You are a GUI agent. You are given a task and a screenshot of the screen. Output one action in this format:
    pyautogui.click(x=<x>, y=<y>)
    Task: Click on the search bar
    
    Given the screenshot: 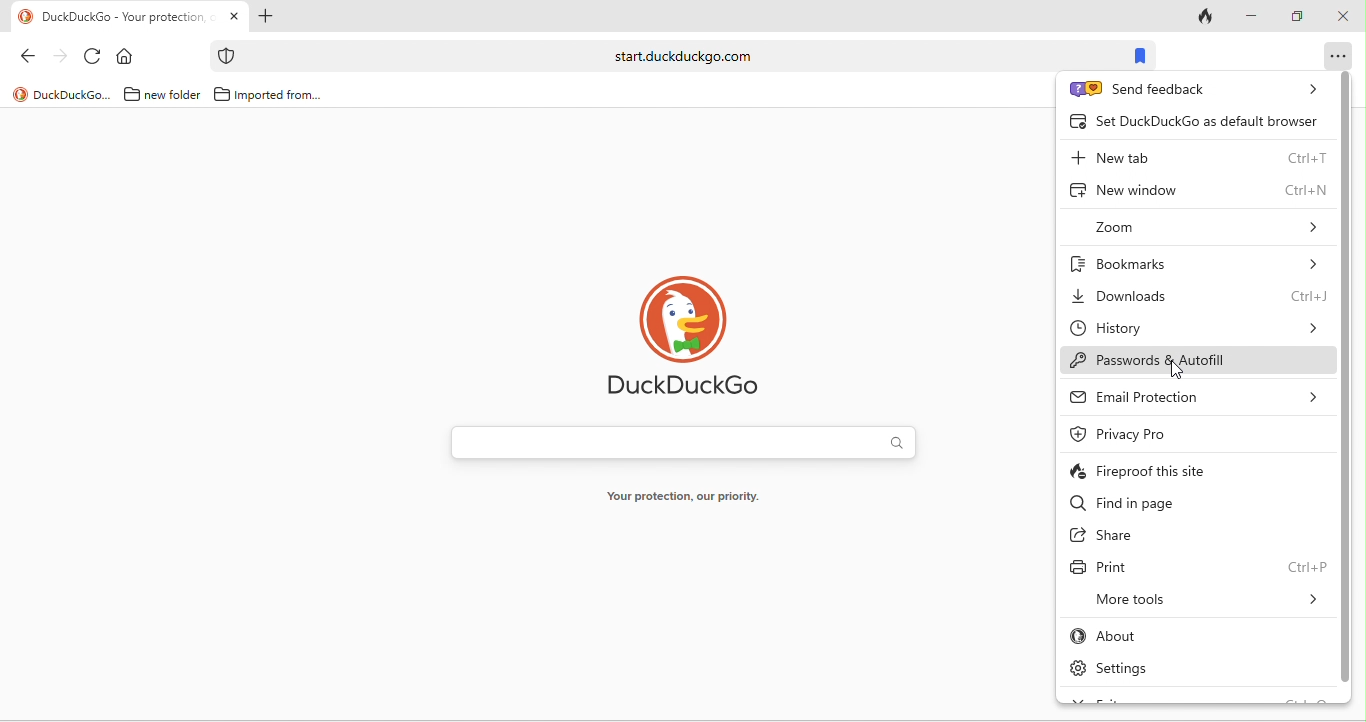 What is the action you would take?
    pyautogui.click(x=677, y=56)
    